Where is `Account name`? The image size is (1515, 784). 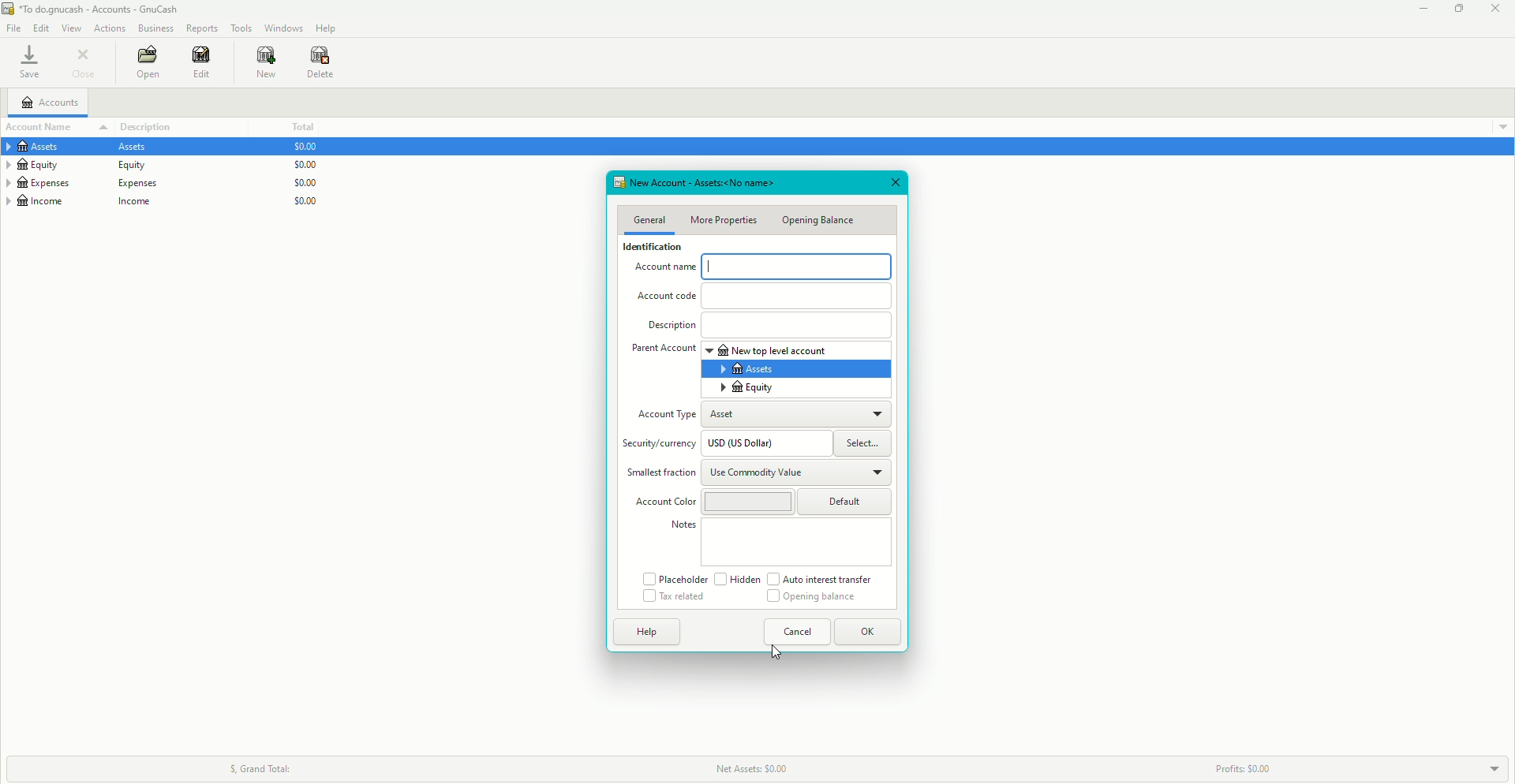 Account name is located at coordinates (661, 271).